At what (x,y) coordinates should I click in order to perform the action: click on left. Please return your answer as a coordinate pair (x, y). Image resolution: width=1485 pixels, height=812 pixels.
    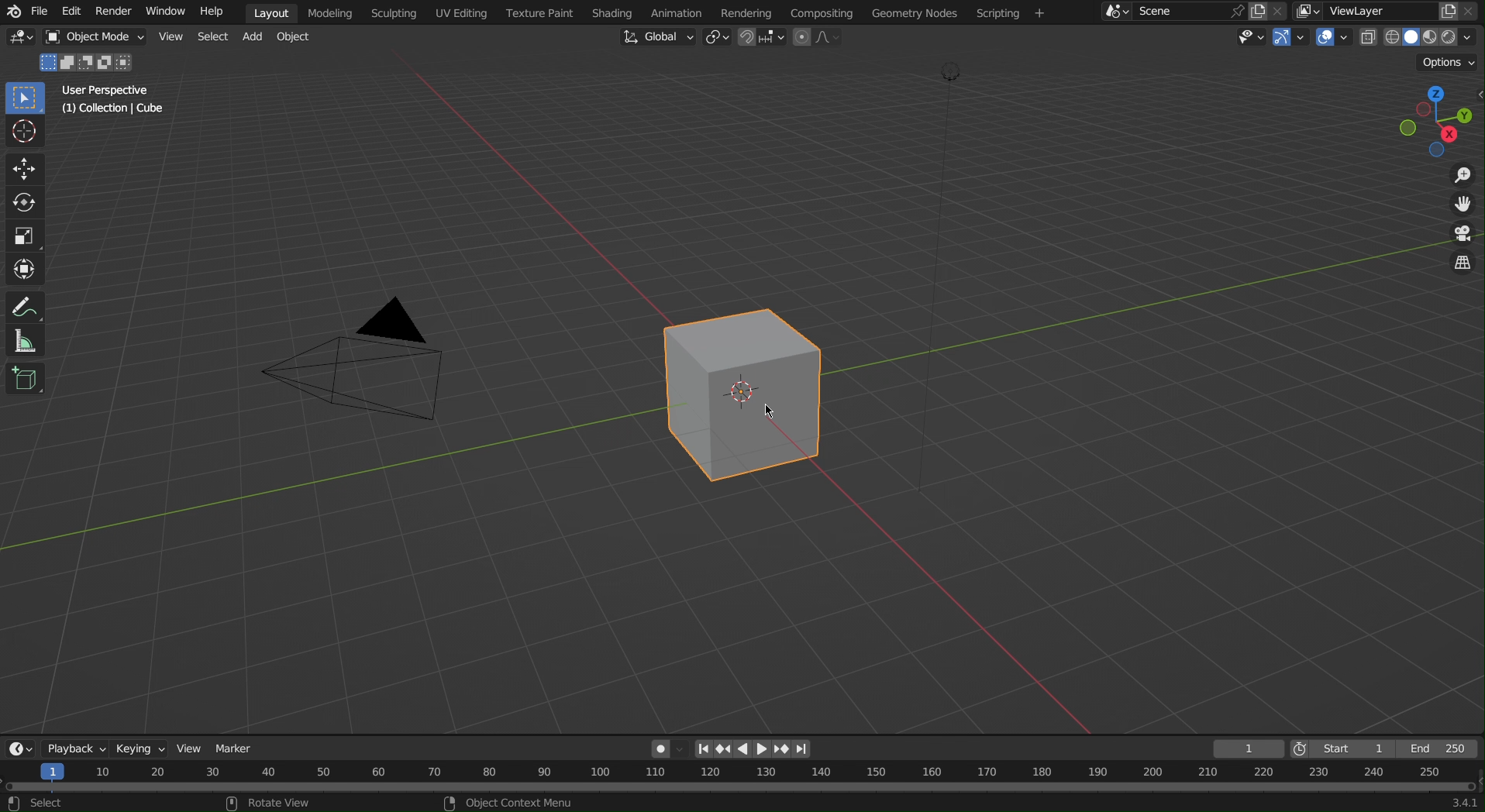
    Looking at the image, I should click on (742, 749).